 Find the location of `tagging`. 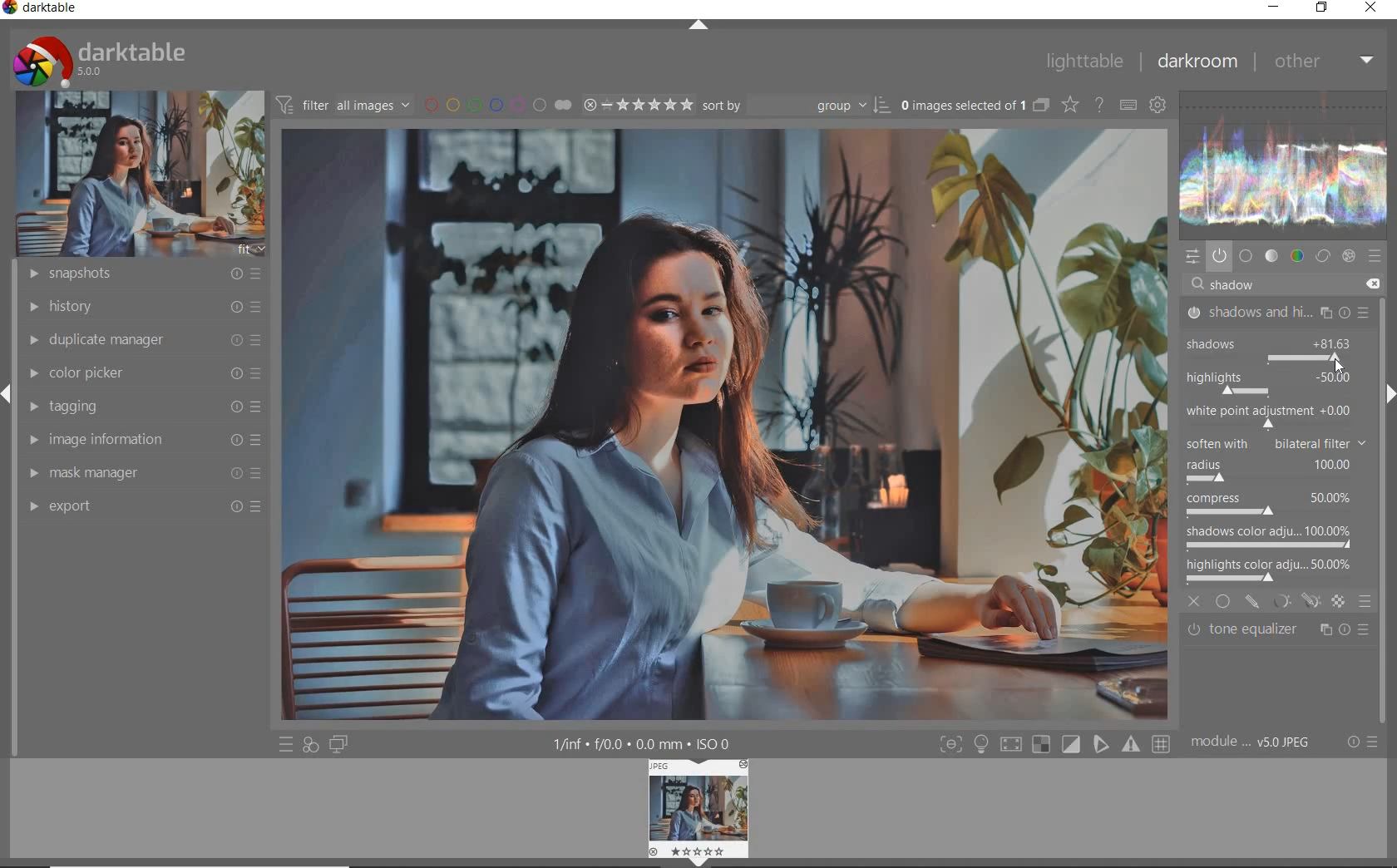

tagging is located at coordinates (142, 407).